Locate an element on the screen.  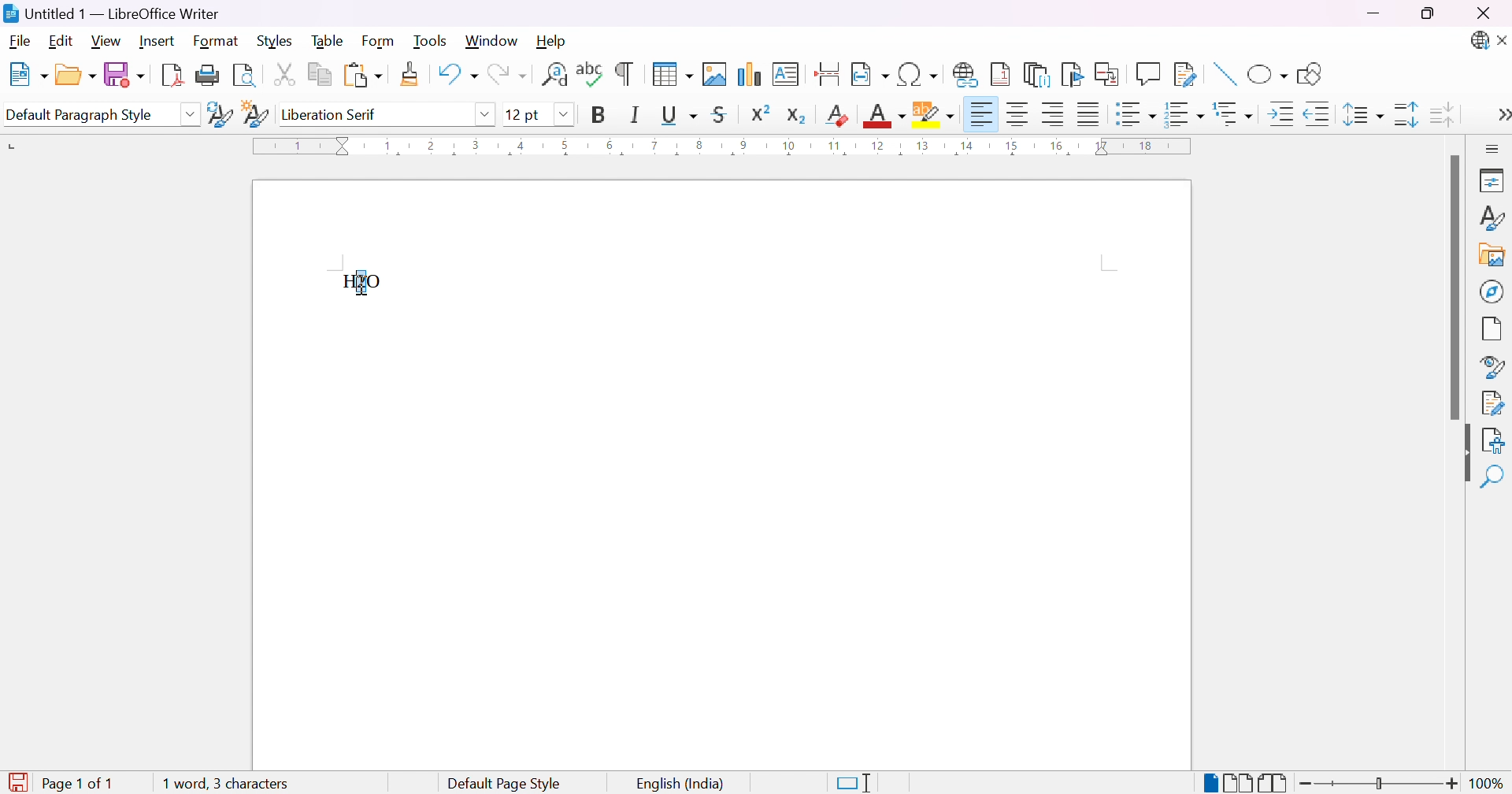
Restore down is located at coordinates (1428, 15).